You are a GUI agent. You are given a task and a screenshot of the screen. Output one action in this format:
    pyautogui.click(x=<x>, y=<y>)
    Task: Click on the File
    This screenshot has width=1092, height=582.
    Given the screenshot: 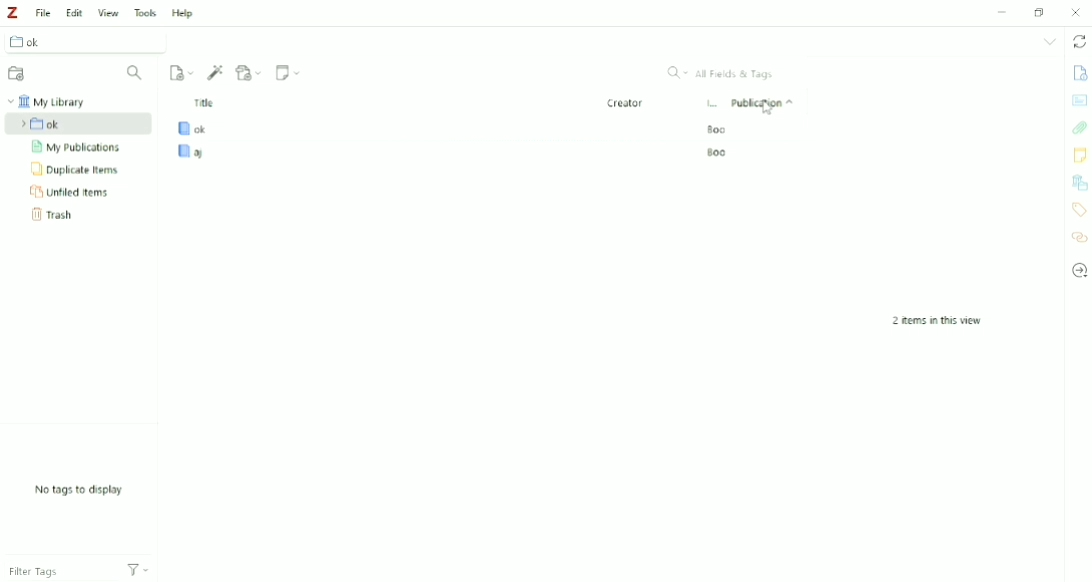 What is the action you would take?
    pyautogui.click(x=43, y=12)
    